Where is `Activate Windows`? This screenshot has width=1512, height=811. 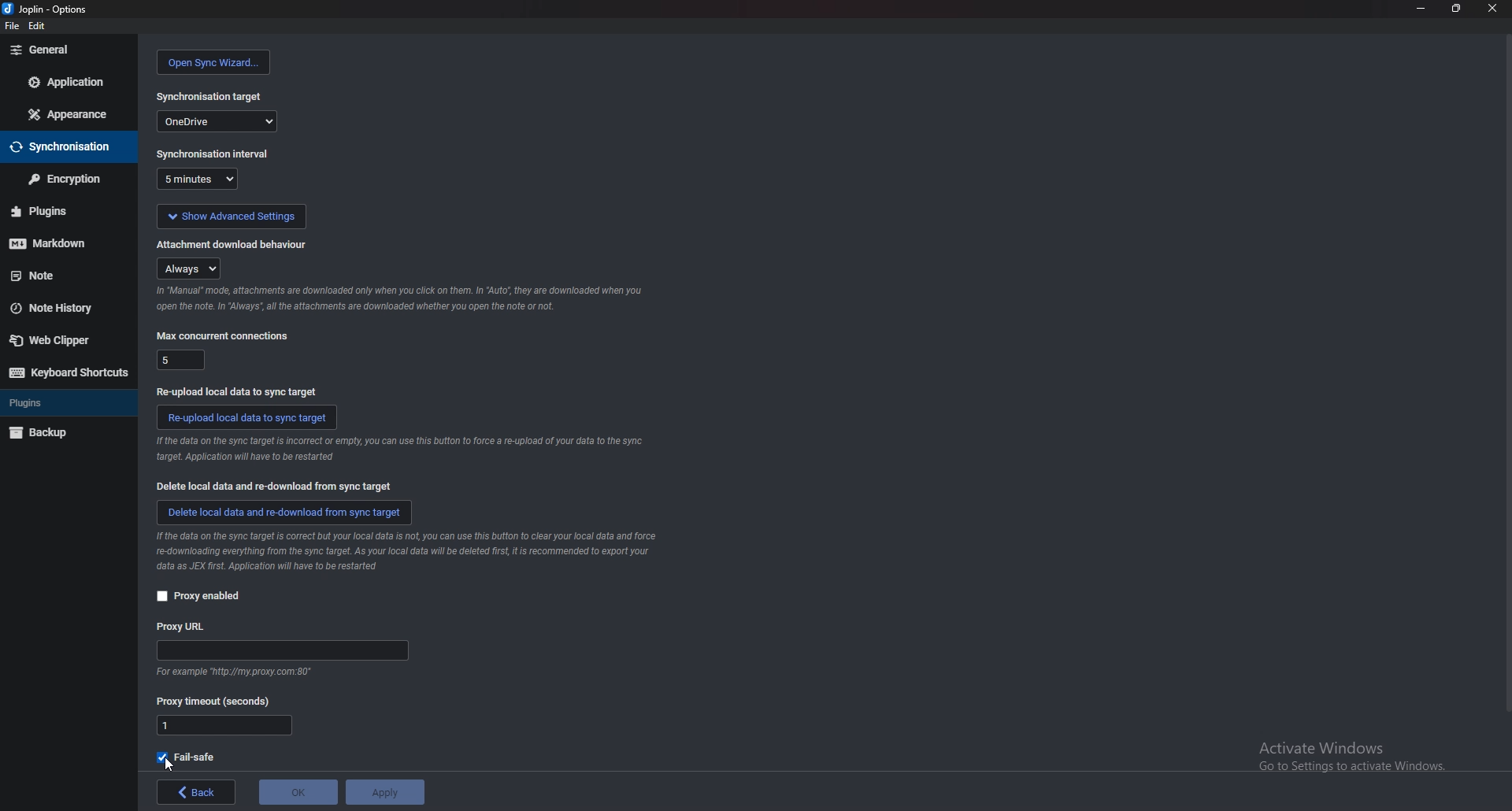
Activate Windows is located at coordinates (1349, 757).